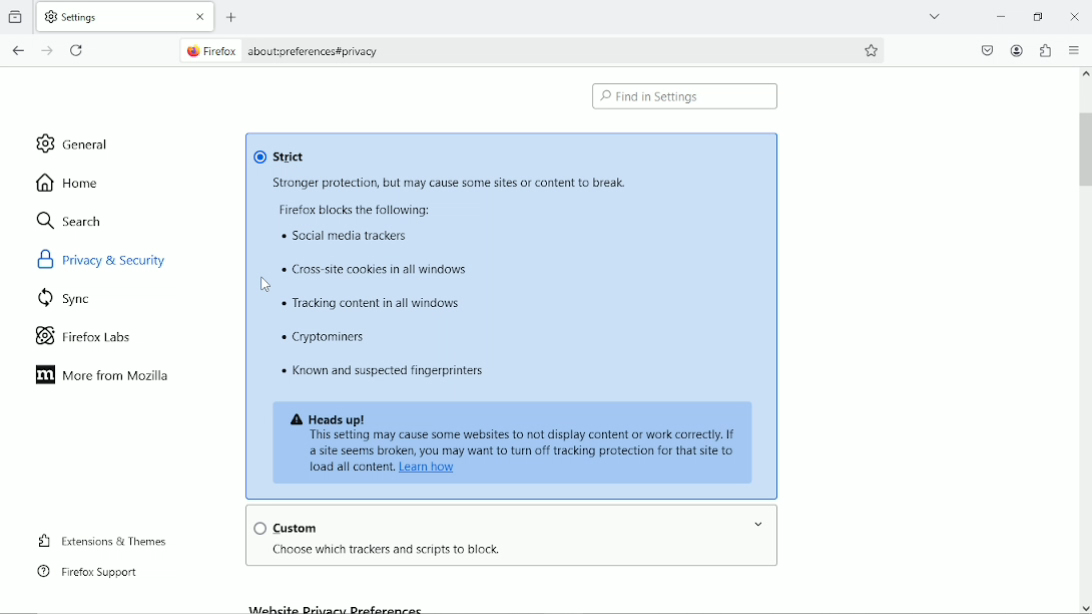  Describe the element at coordinates (260, 530) in the screenshot. I see `Checkbox` at that location.